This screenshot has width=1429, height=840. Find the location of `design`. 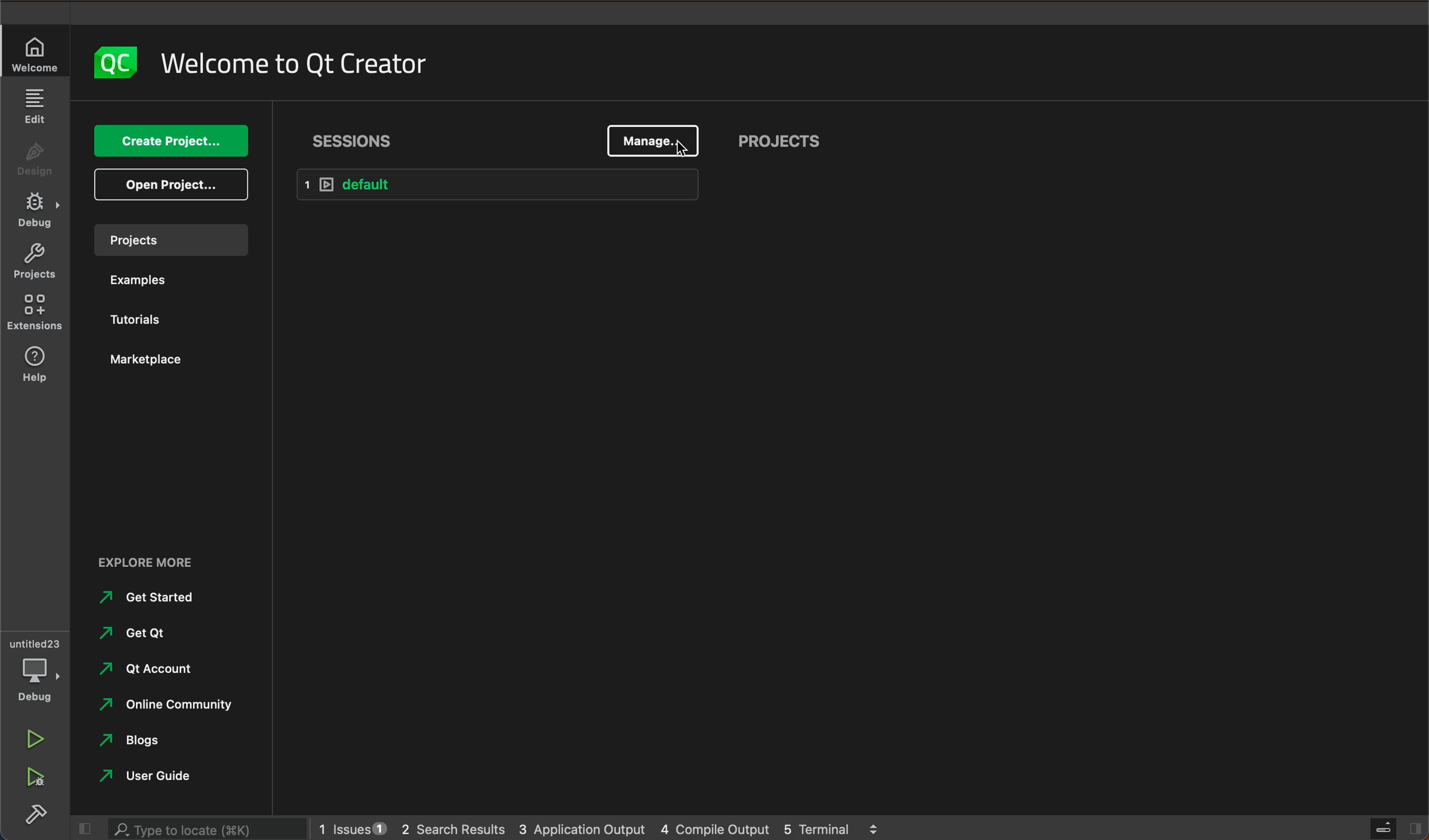

design is located at coordinates (36, 163).